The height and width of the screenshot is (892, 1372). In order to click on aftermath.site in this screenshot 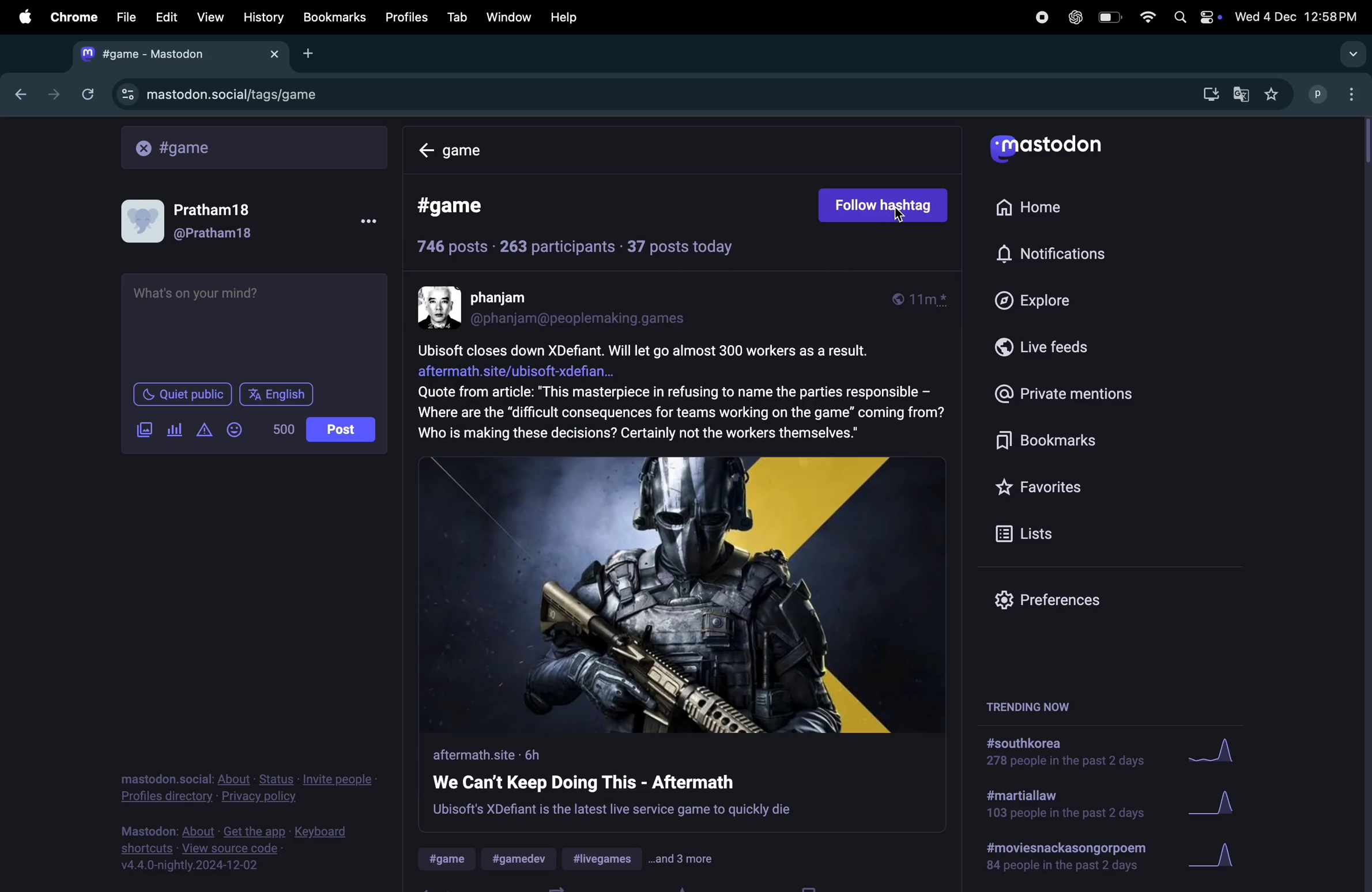, I will do `click(493, 755)`.